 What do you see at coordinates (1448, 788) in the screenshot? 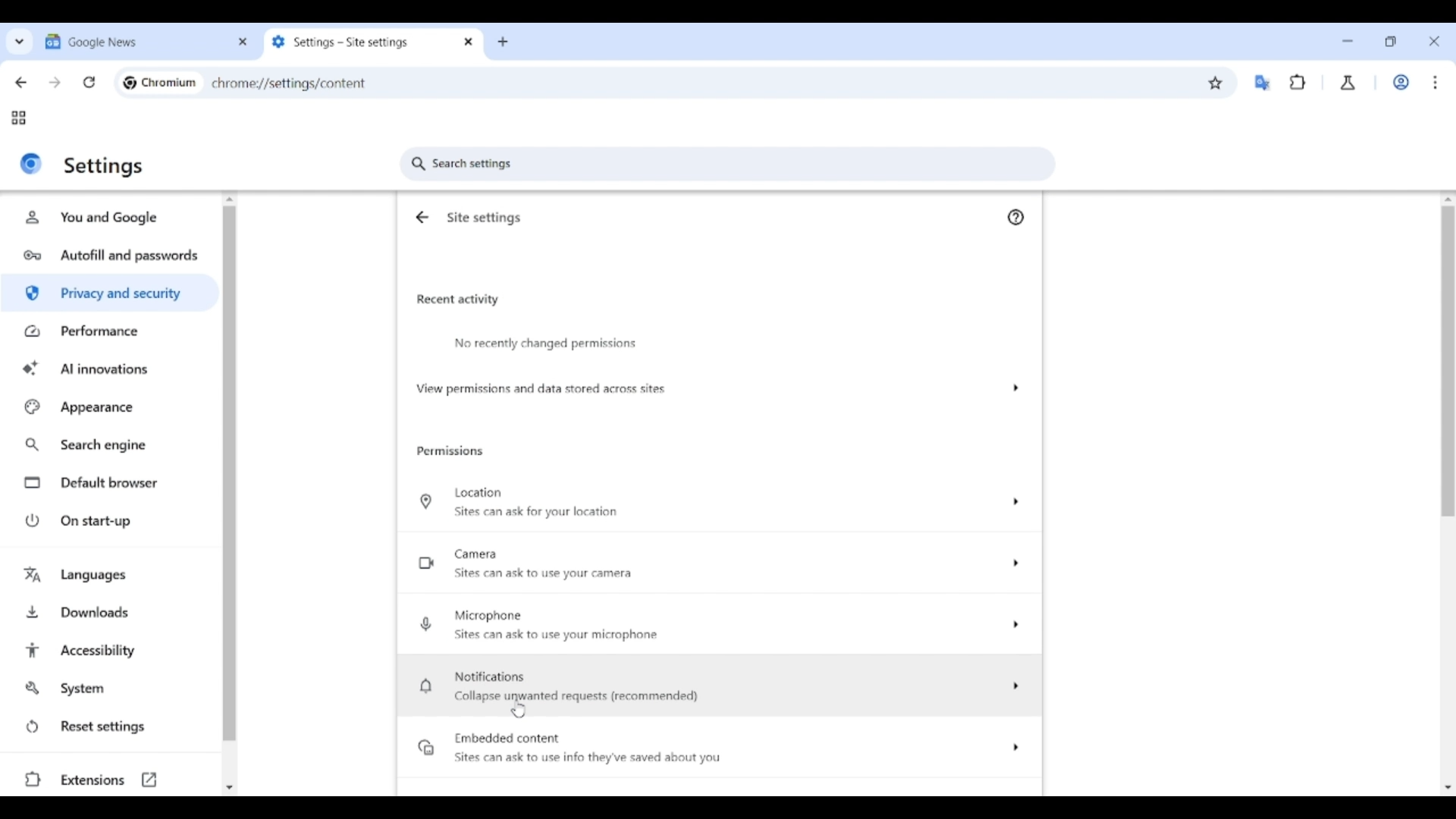
I see `Quick slide to bottom` at bounding box center [1448, 788].